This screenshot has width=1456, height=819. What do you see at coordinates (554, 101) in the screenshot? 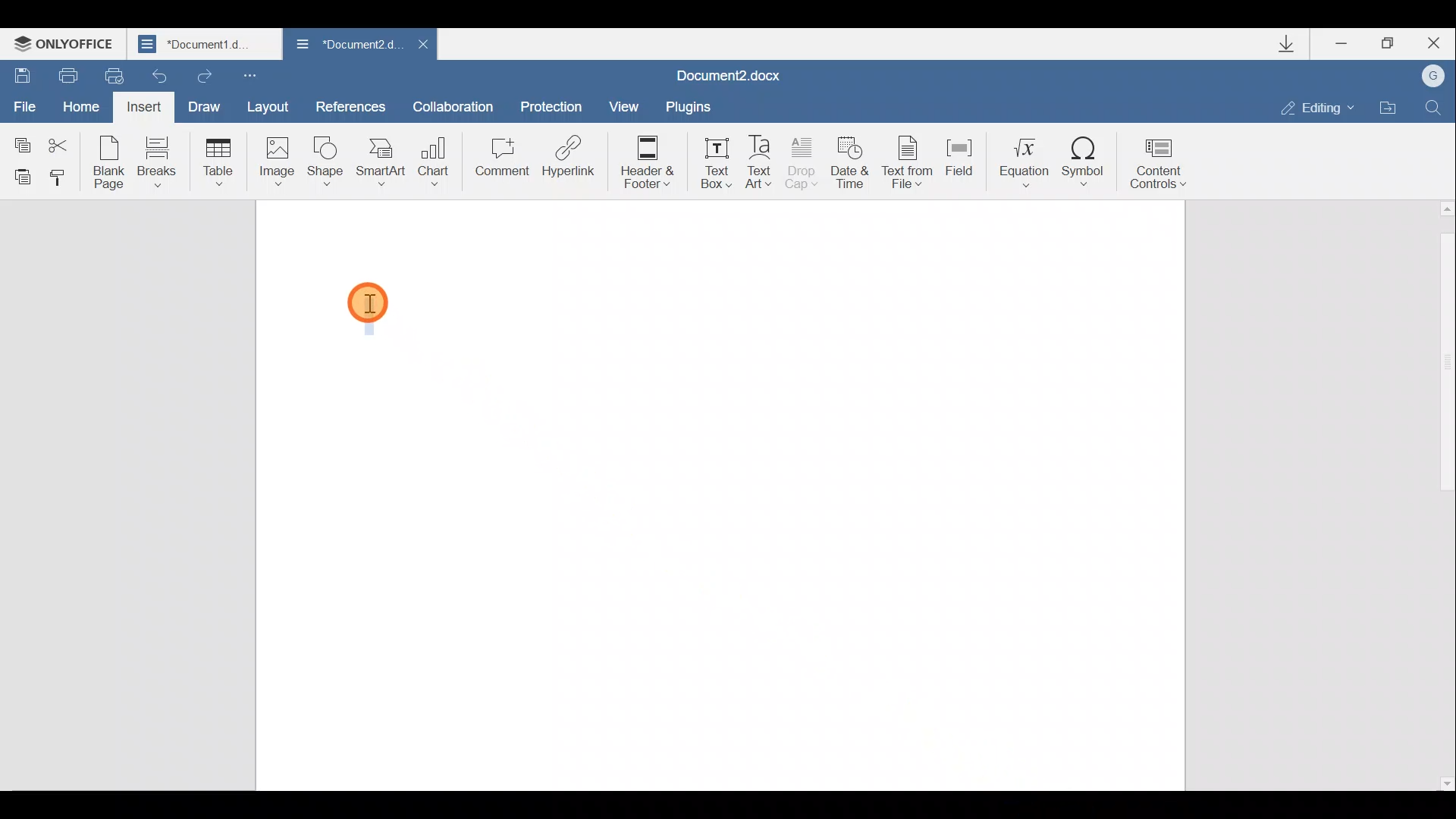
I see `Protection` at bounding box center [554, 101].